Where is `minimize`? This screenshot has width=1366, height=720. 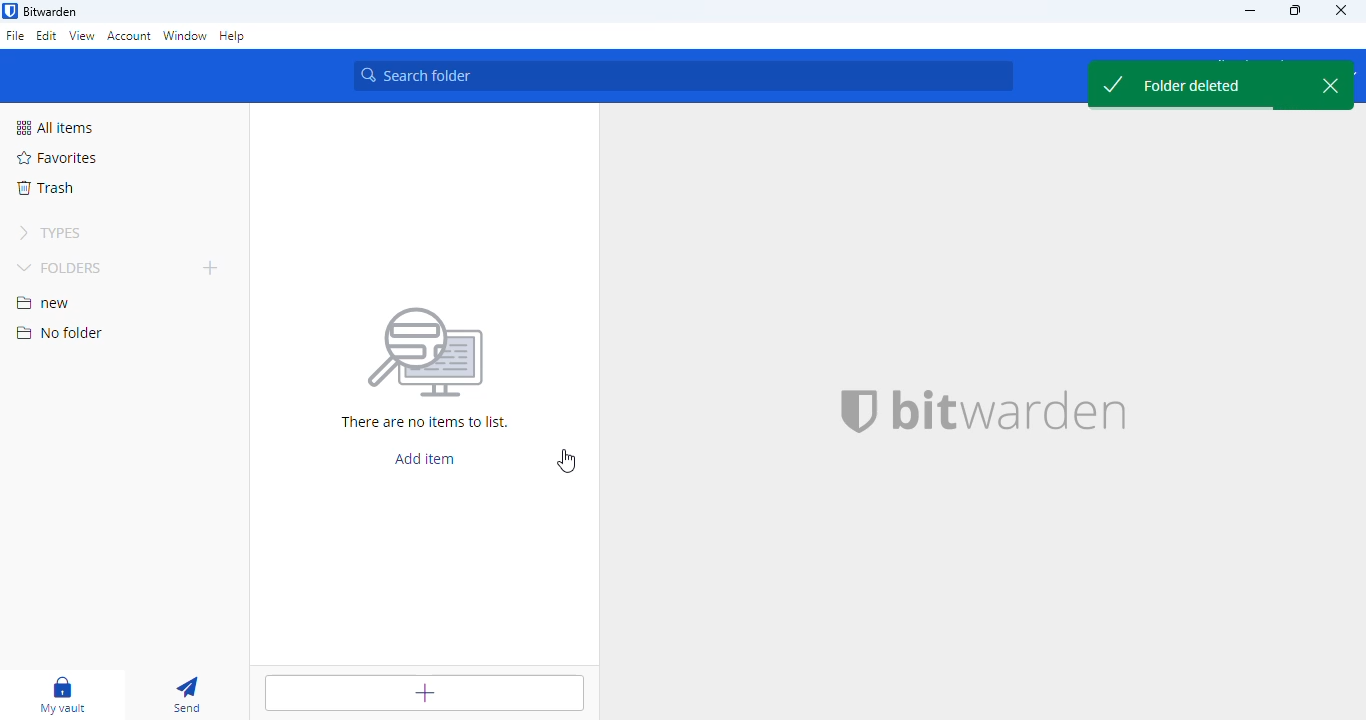 minimize is located at coordinates (1250, 11).